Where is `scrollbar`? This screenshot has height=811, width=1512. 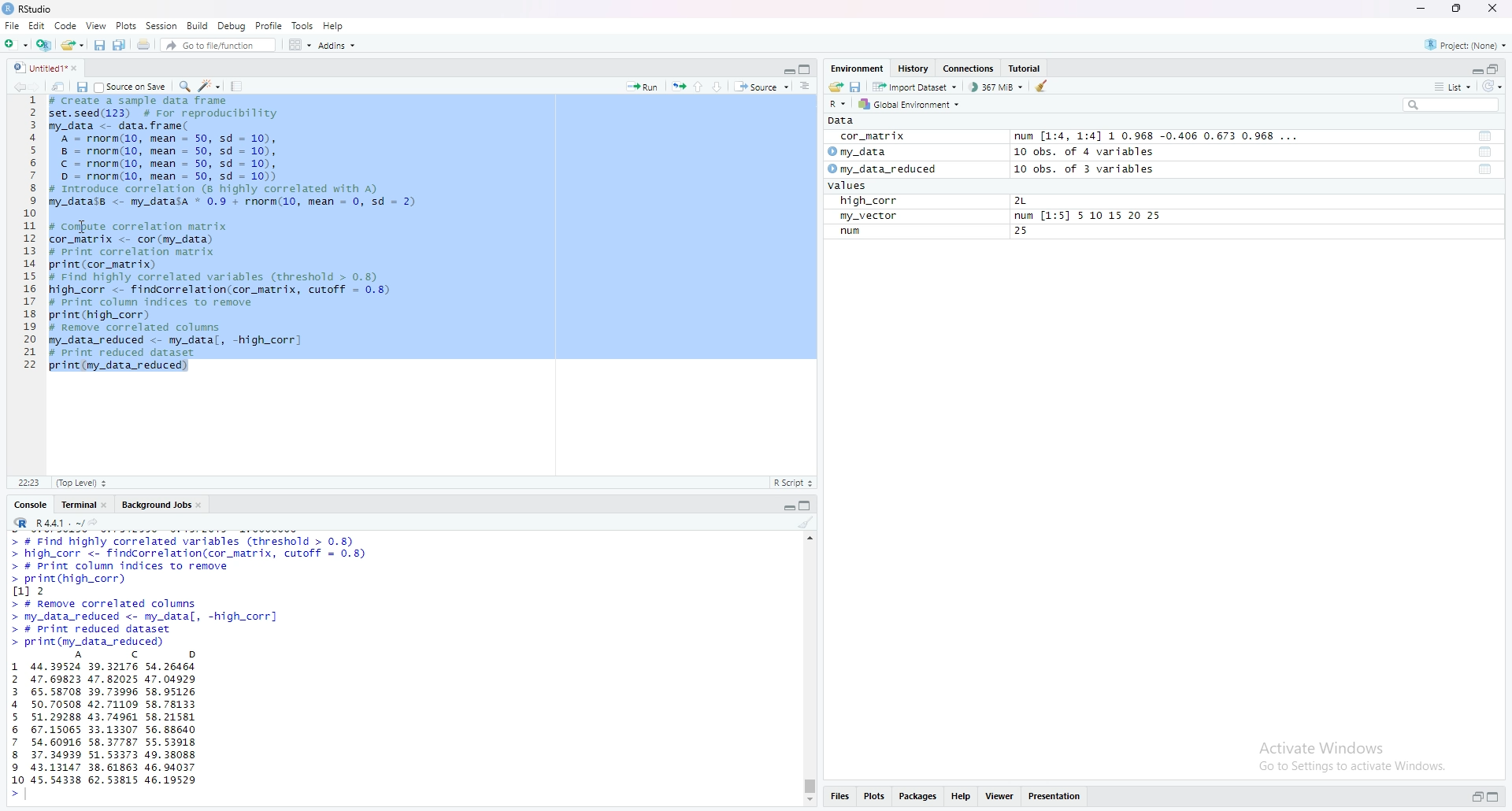
scrollbar is located at coordinates (812, 669).